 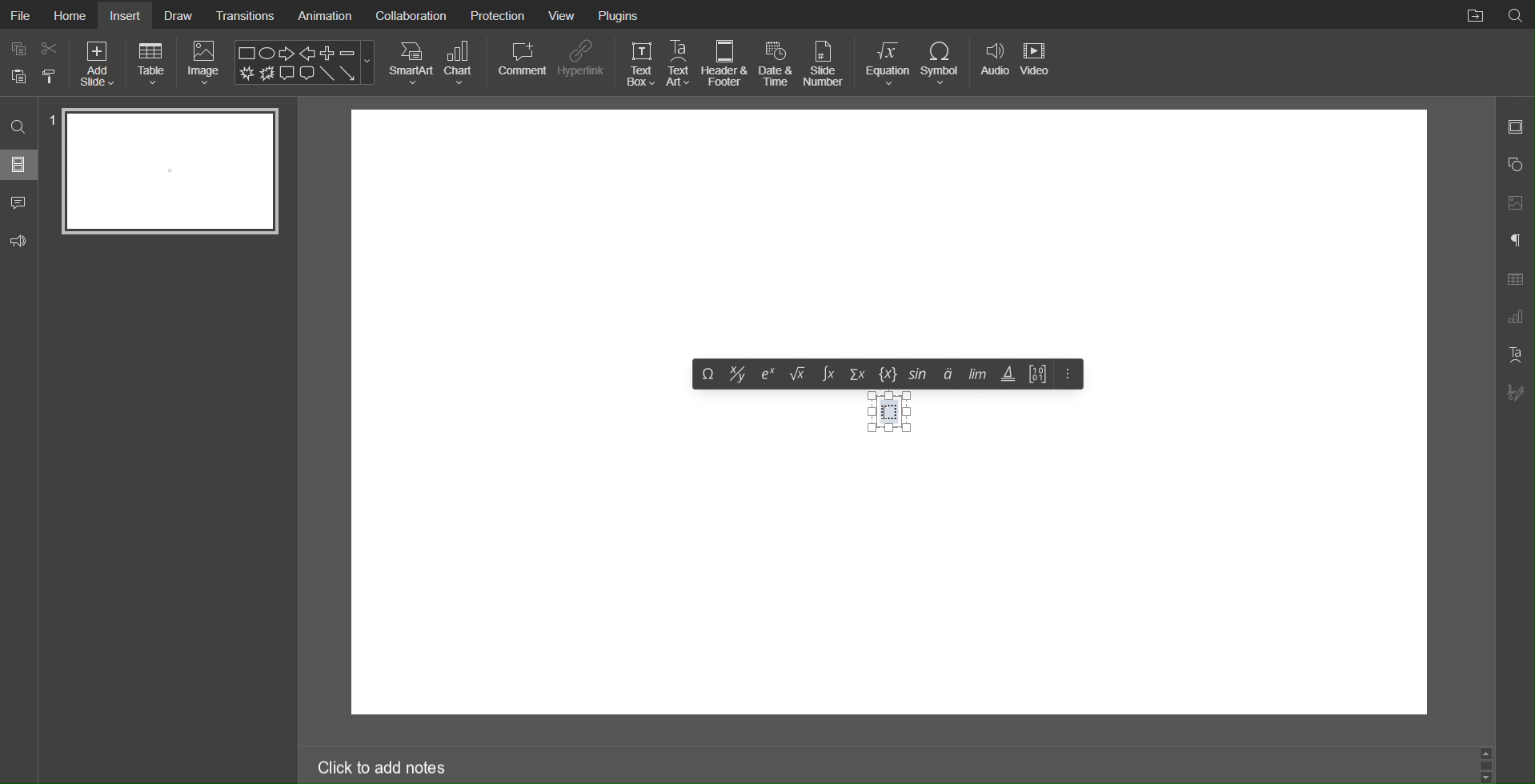 I want to click on TextArt, so click(x=1515, y=353).